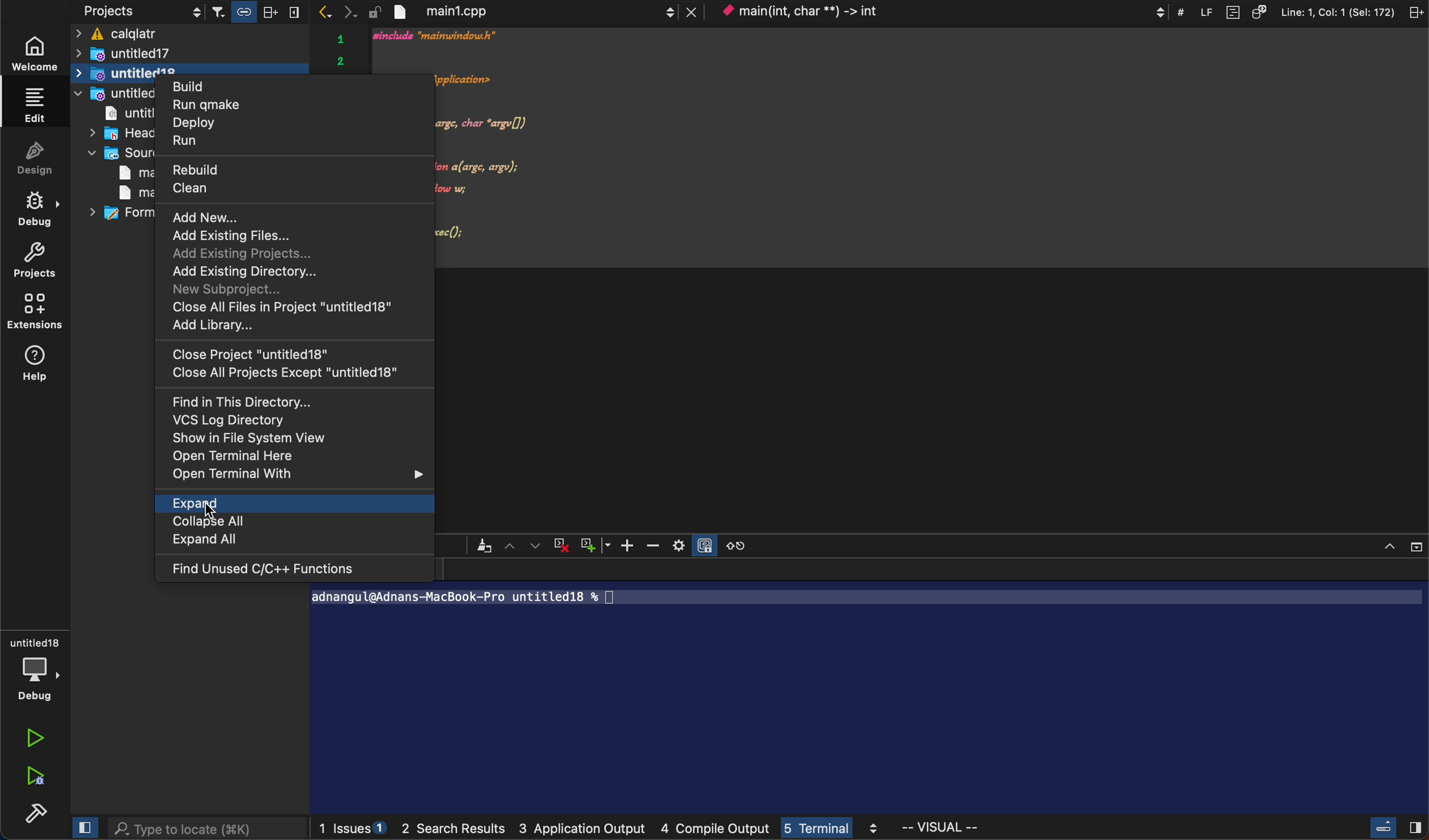 This screenshot has width=1429, height=840. What do you see at coordinates (36, 663) in the screenshot?
I see `debug` at bounding box center [36, 663].